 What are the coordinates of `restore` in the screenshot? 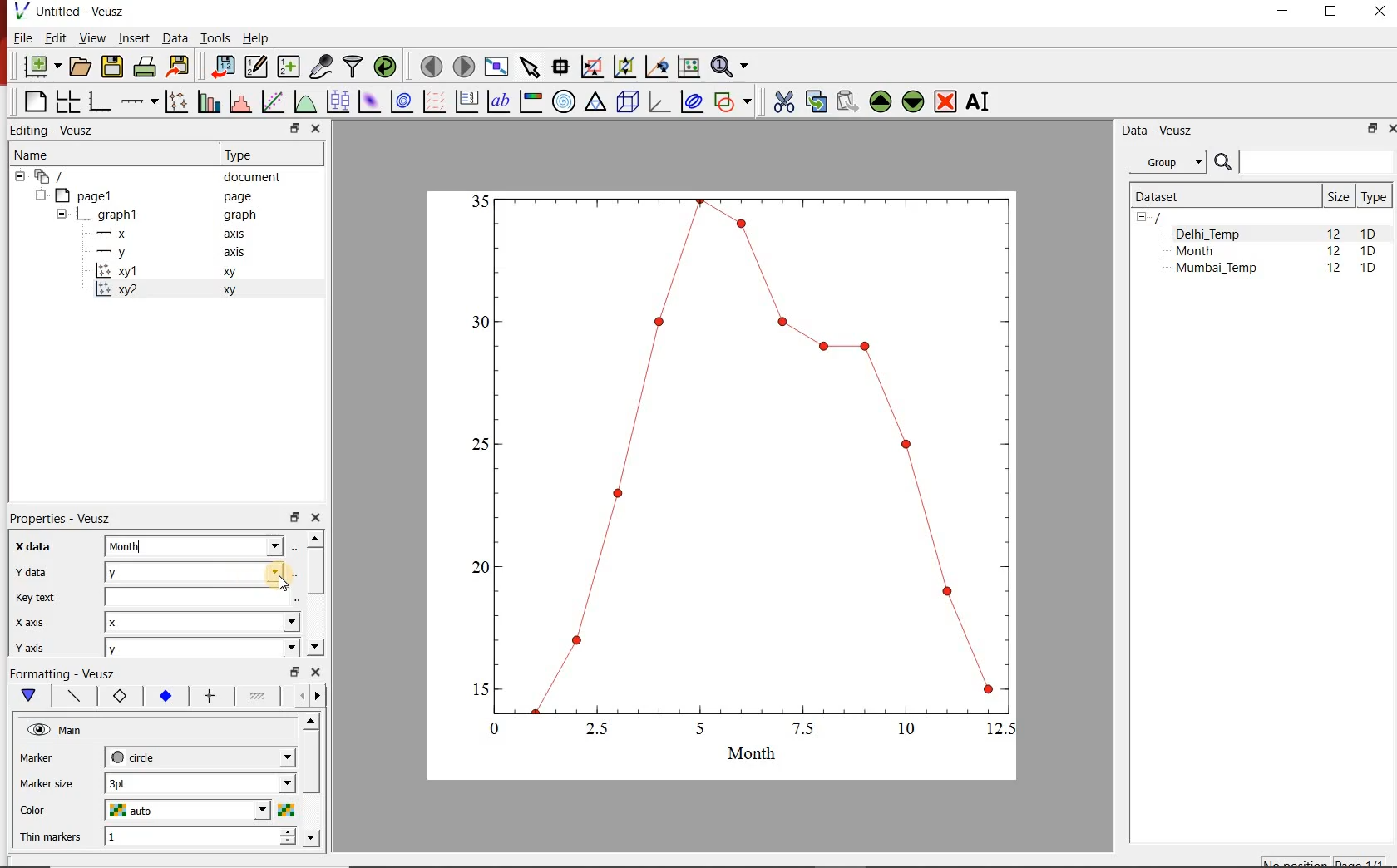 It's located at (294, 516).